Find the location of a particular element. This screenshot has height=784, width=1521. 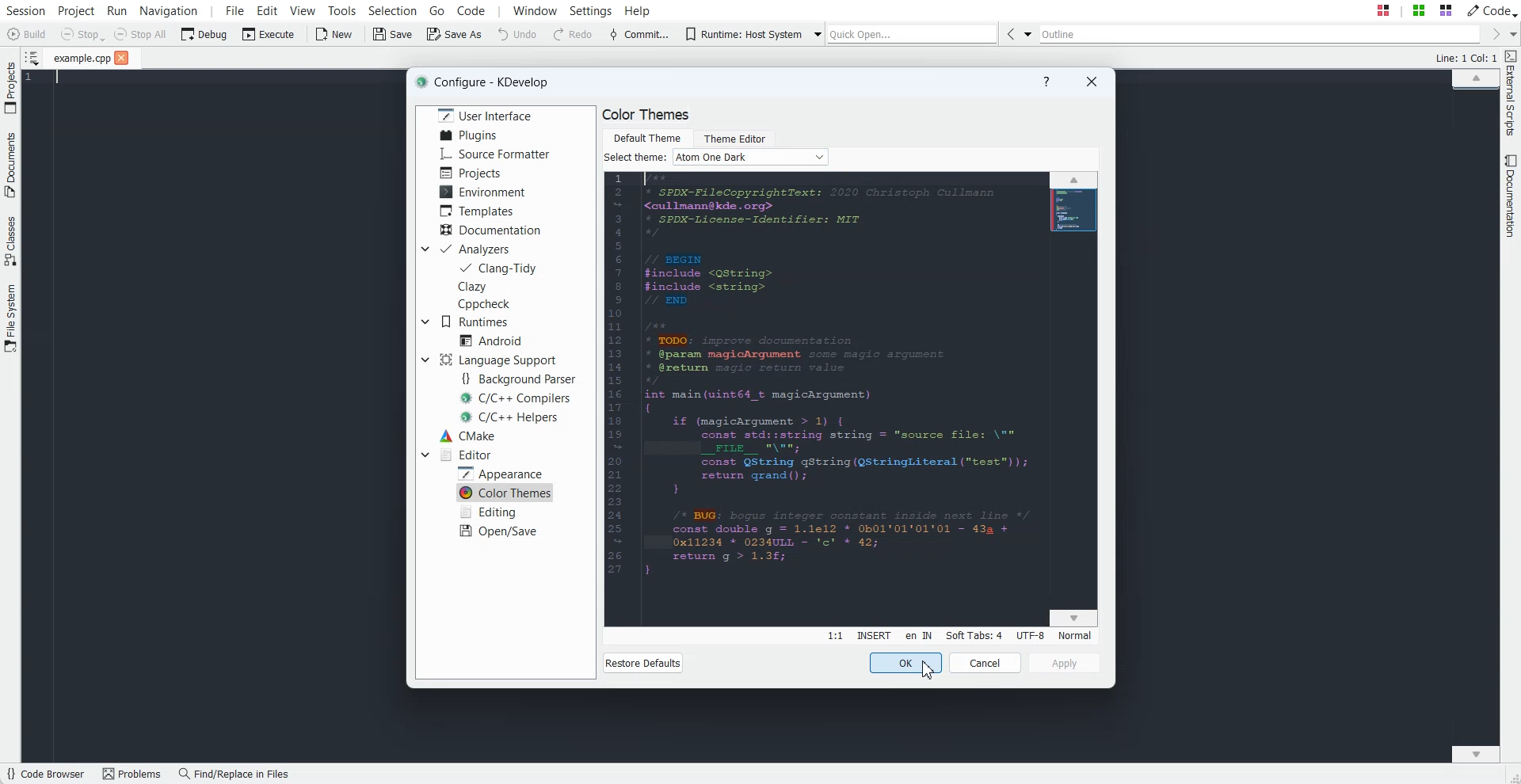

en IN is located at coordinates (918, 637).